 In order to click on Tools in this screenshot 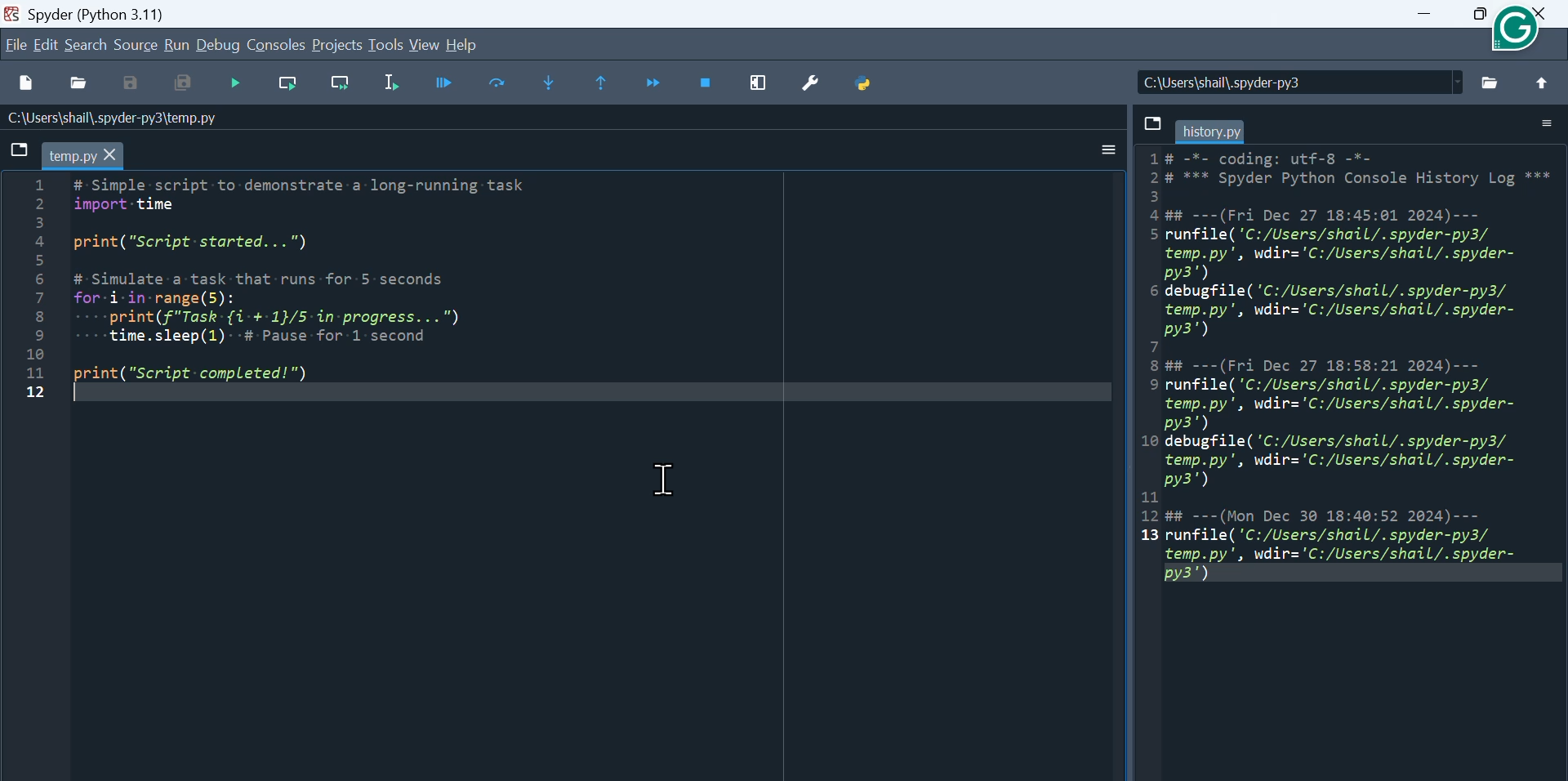, I will do `click(385, 45)`.